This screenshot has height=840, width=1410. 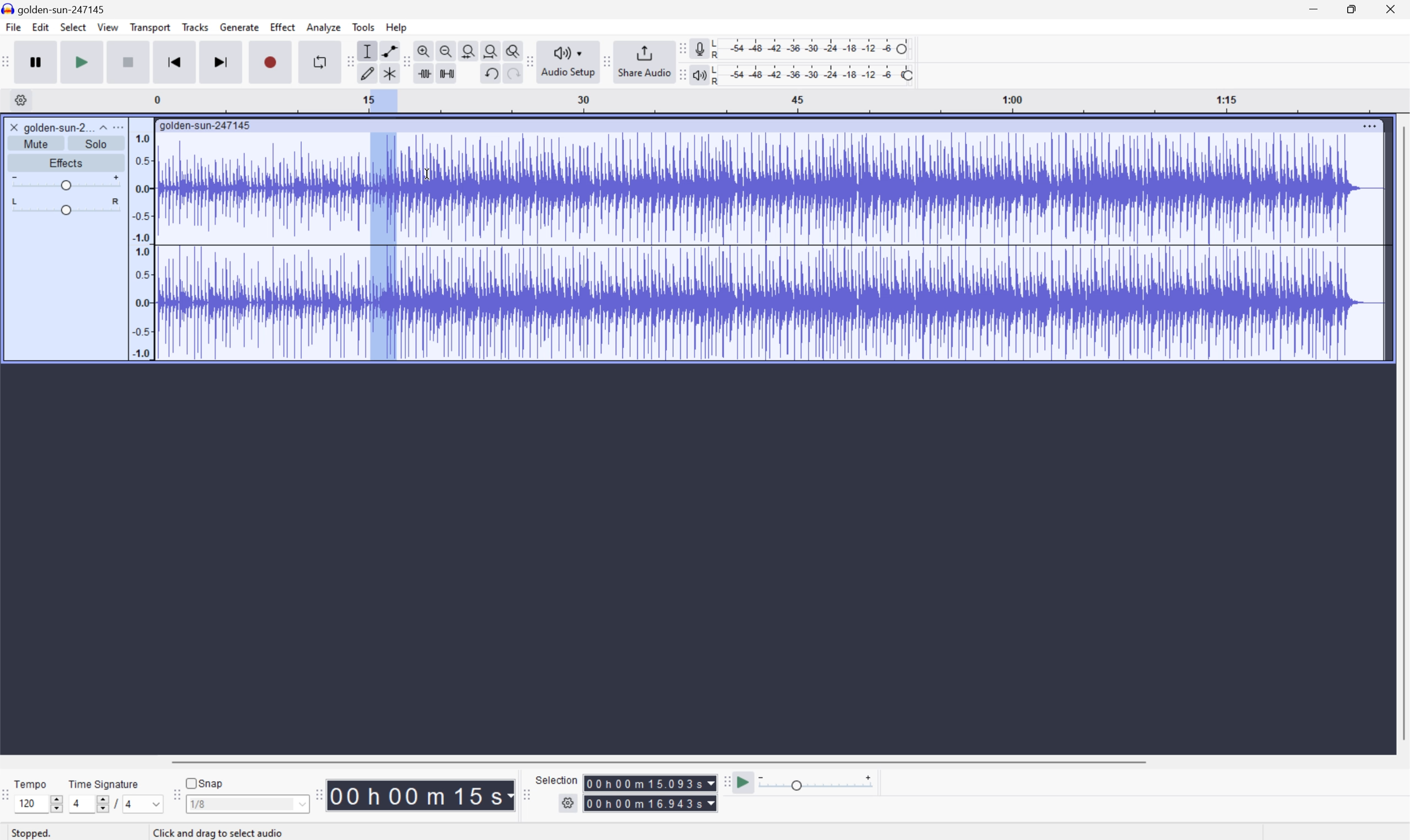 I want to click on Select, so click(x=73, y=28).